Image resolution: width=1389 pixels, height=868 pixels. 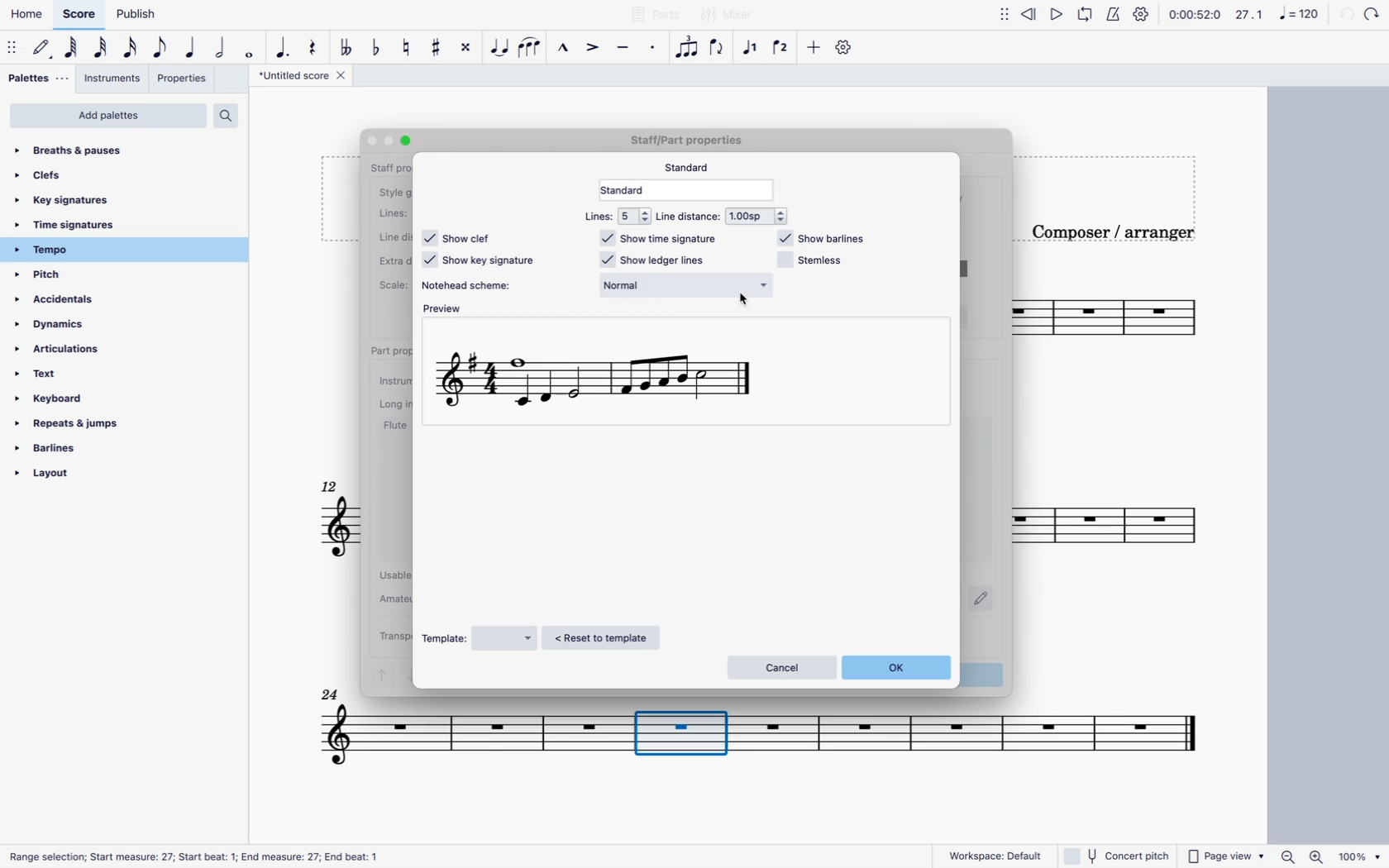 I want to click on layout, so click(x=113, y=474).